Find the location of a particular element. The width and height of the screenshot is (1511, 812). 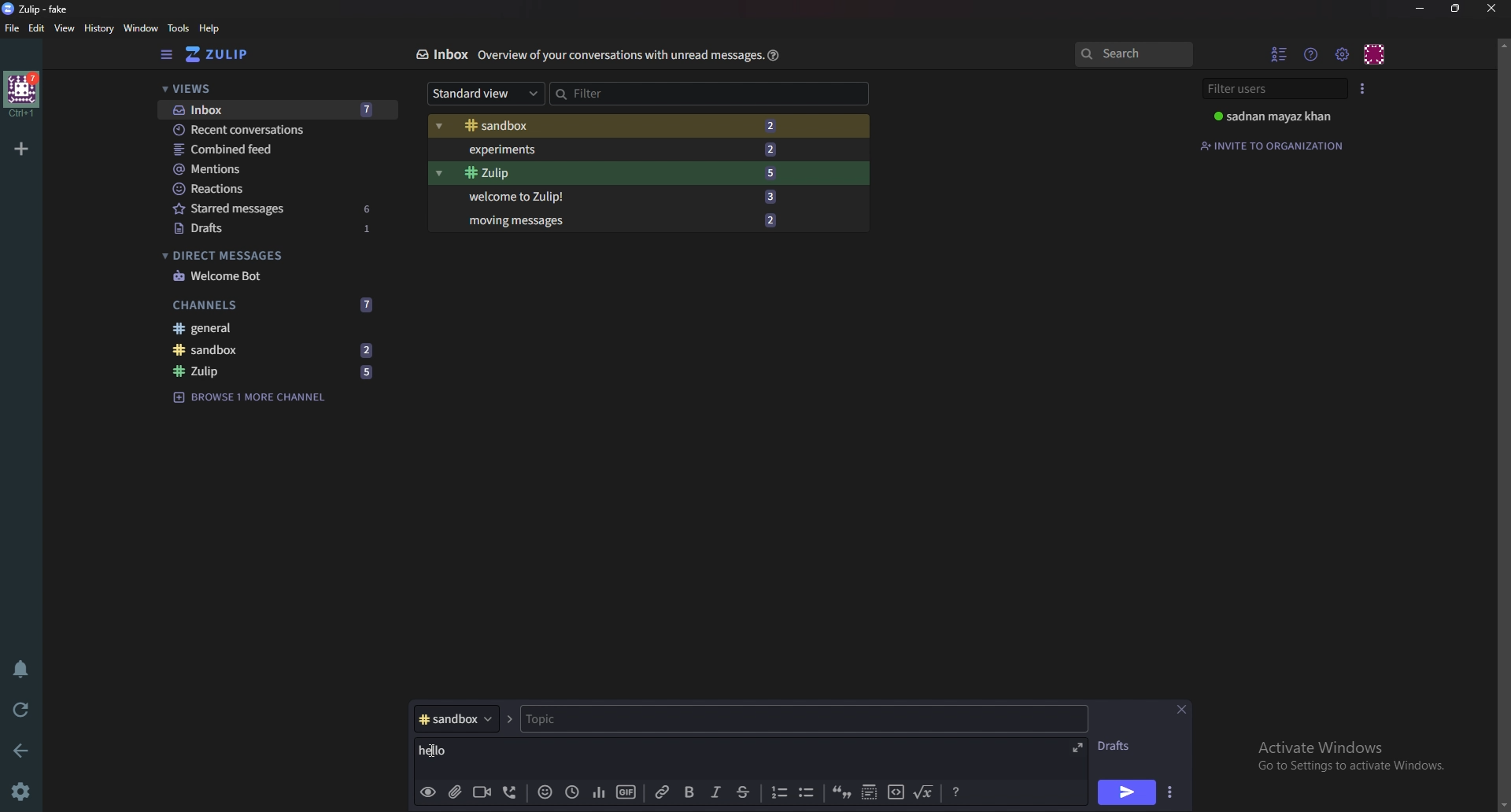

Reload is located at coordinates (24, 709).